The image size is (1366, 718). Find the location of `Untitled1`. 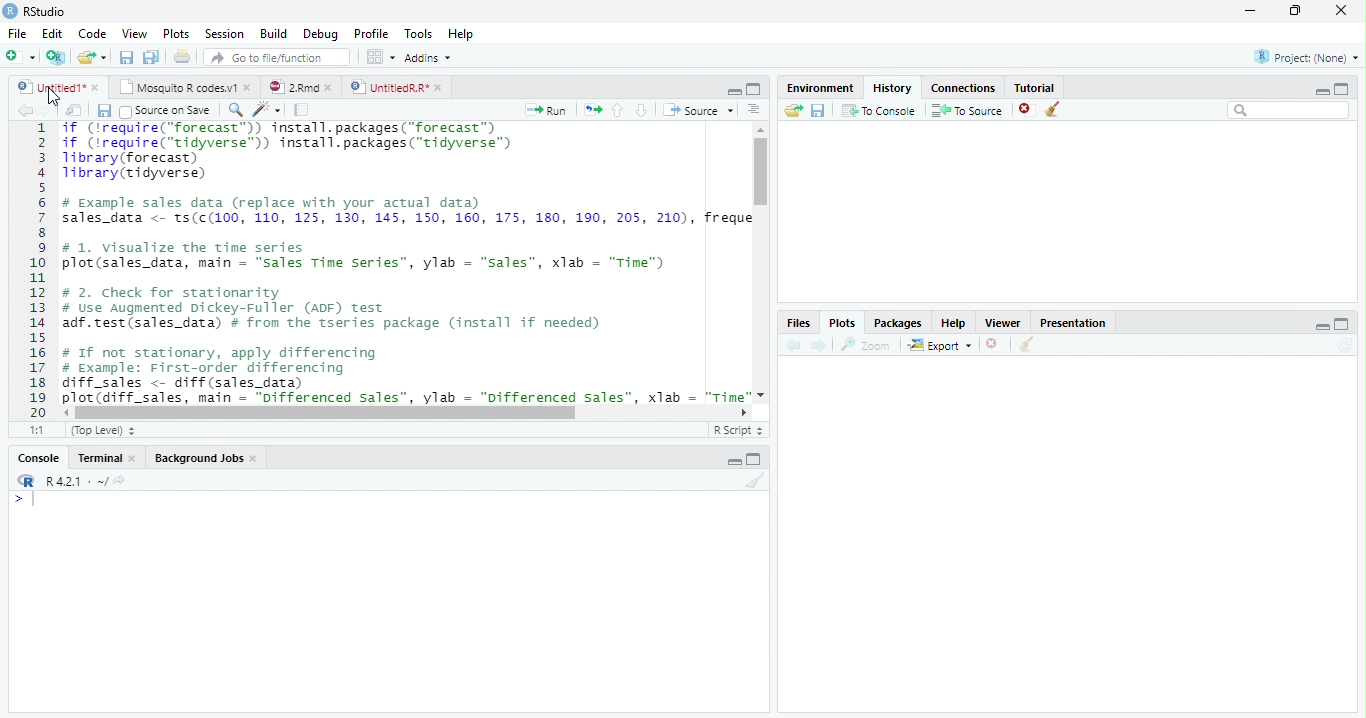

Untitled1 is located at coordinates (58, 87).